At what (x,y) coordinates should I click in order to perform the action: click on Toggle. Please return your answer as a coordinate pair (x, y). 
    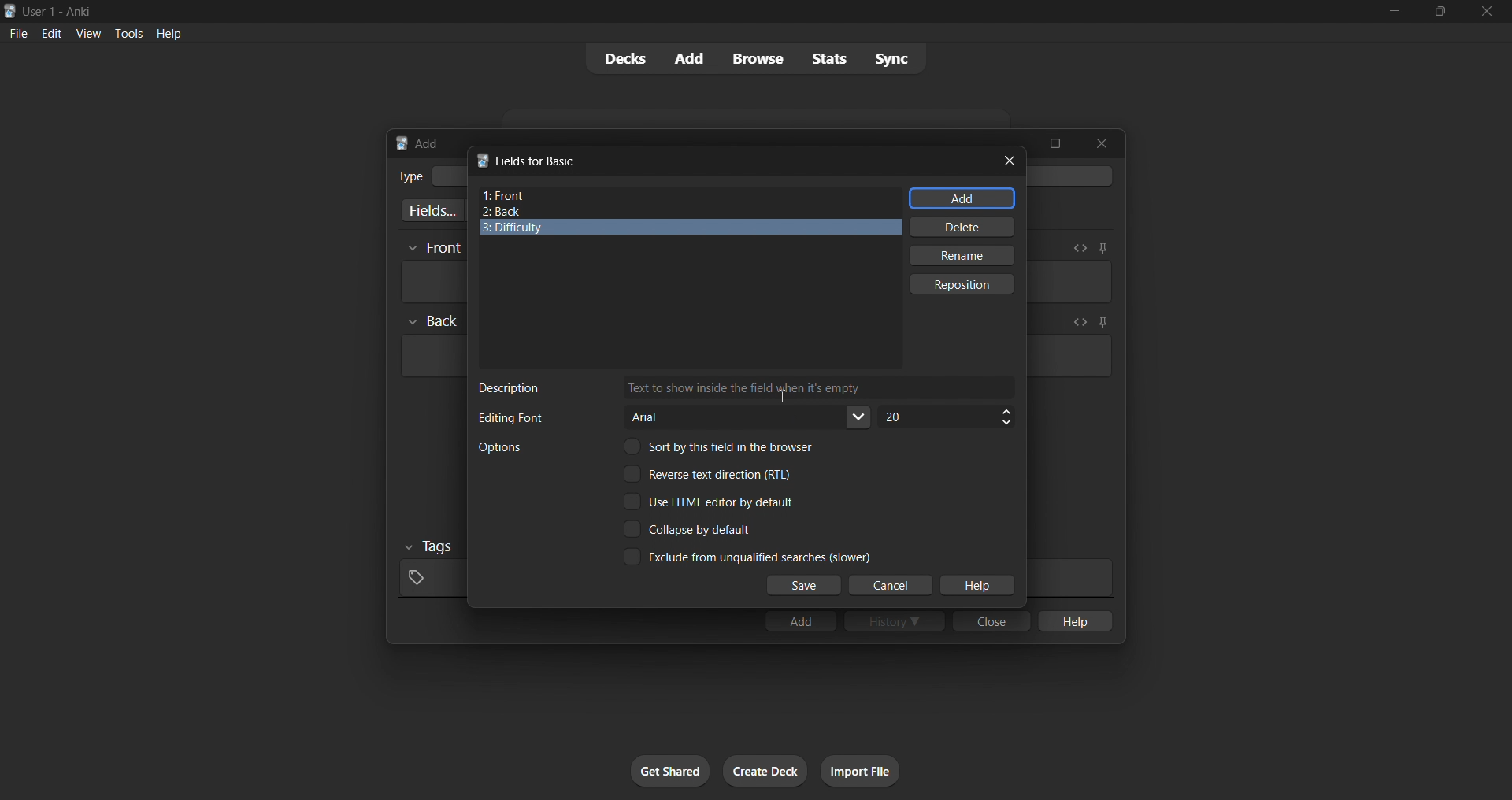
    Looking at the image, I should click on (747, 556).